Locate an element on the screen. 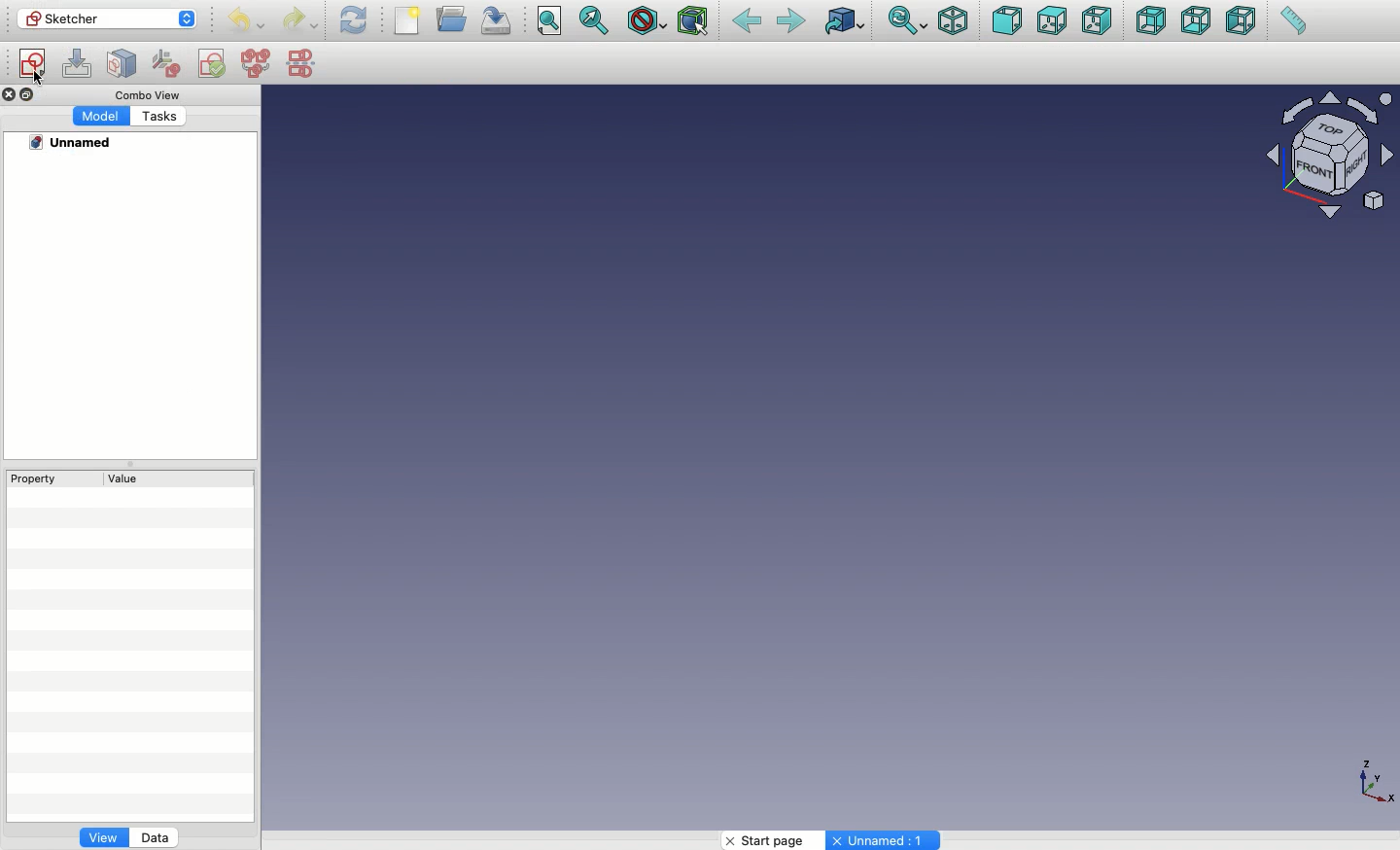 The width and height of the screenshot is (1400, 850). Draw style is located at coordinates (647, 20).